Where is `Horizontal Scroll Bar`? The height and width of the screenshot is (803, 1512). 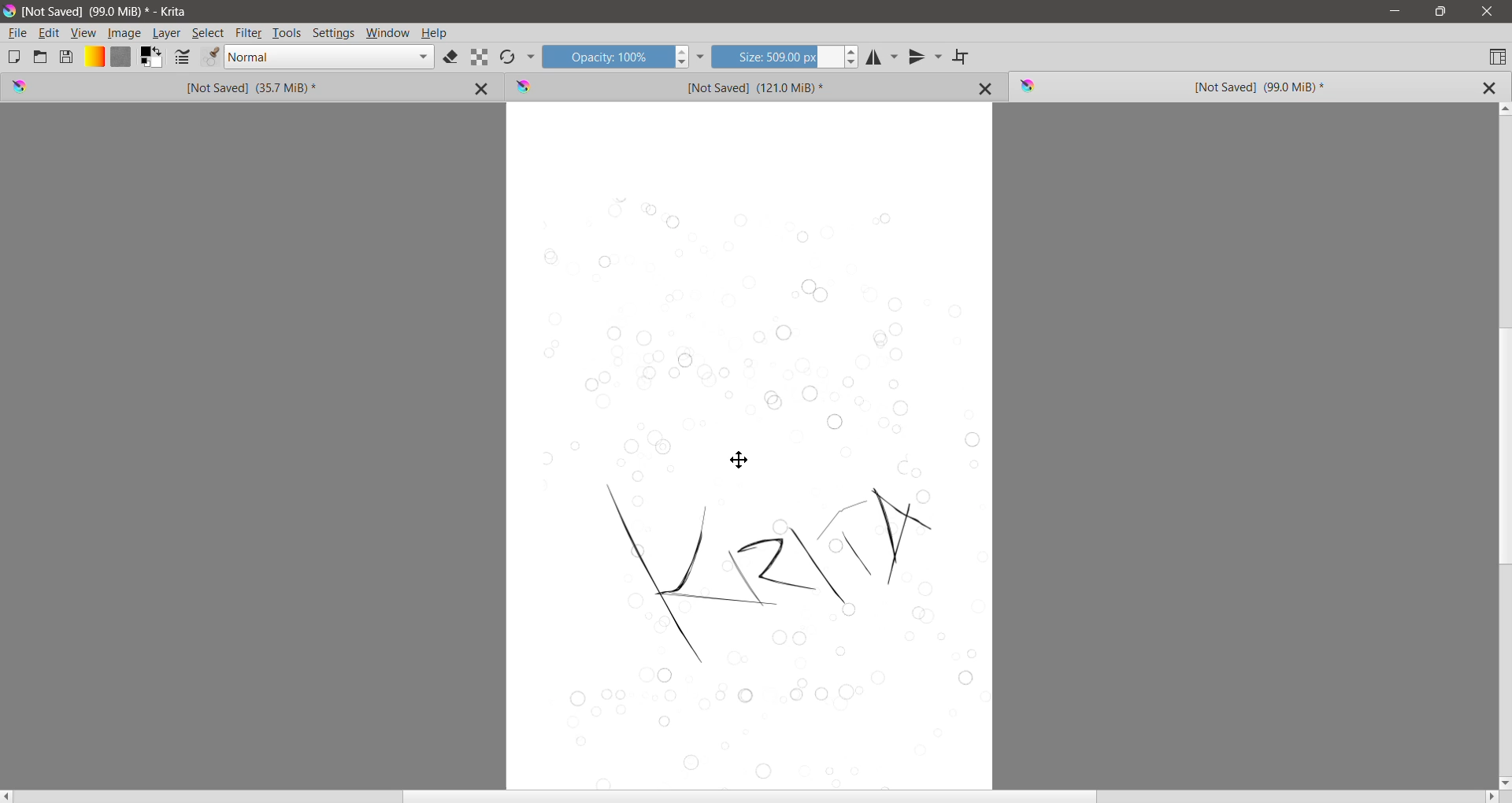 Horizontal Scroll Bar is located at coordinates (750, 797).